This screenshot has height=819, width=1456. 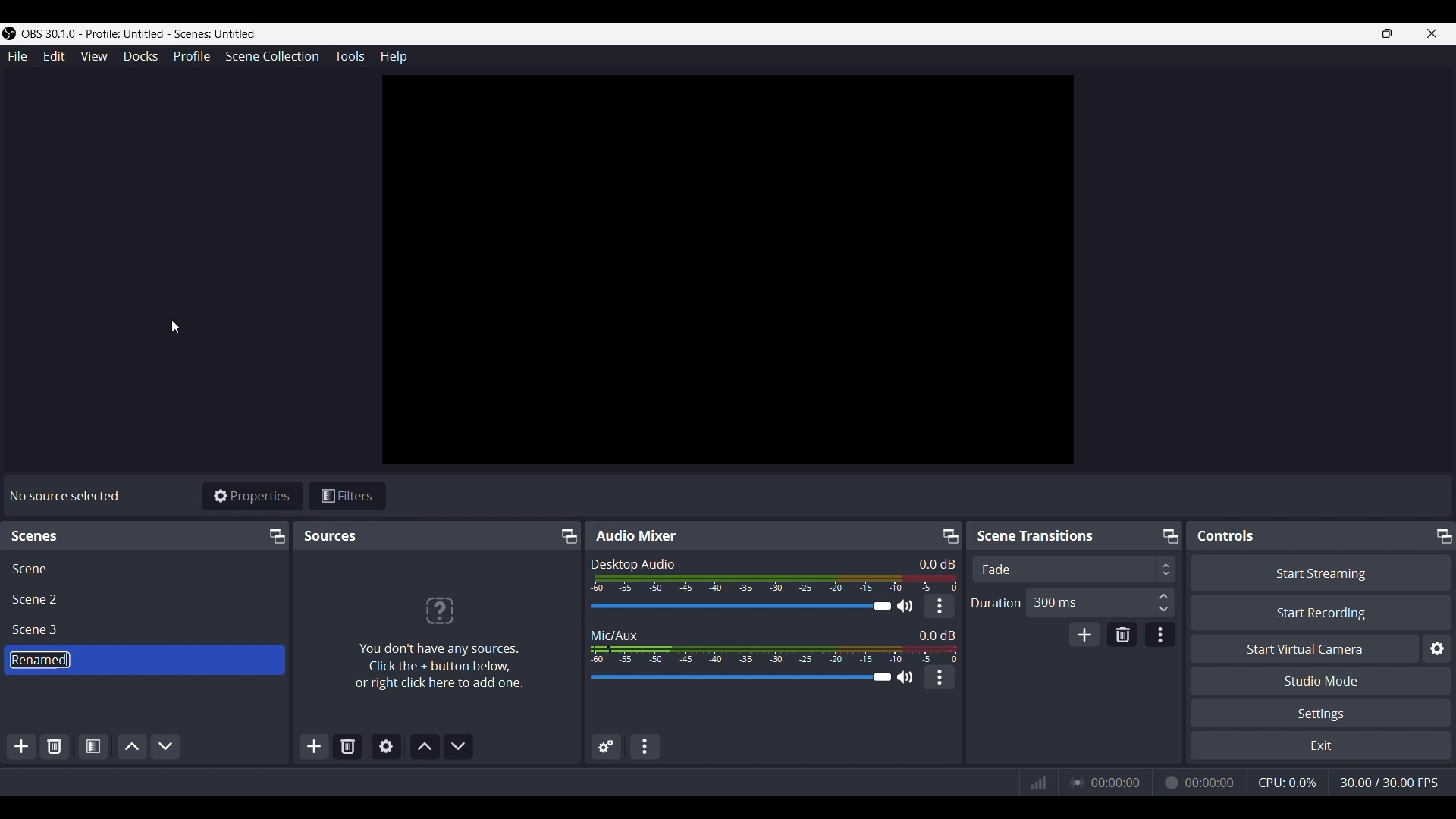 What do you see at coordinates (566, 536) in the screenshot?
I see ` Undock/Pop-out icon` at bounding box center [566, 536].